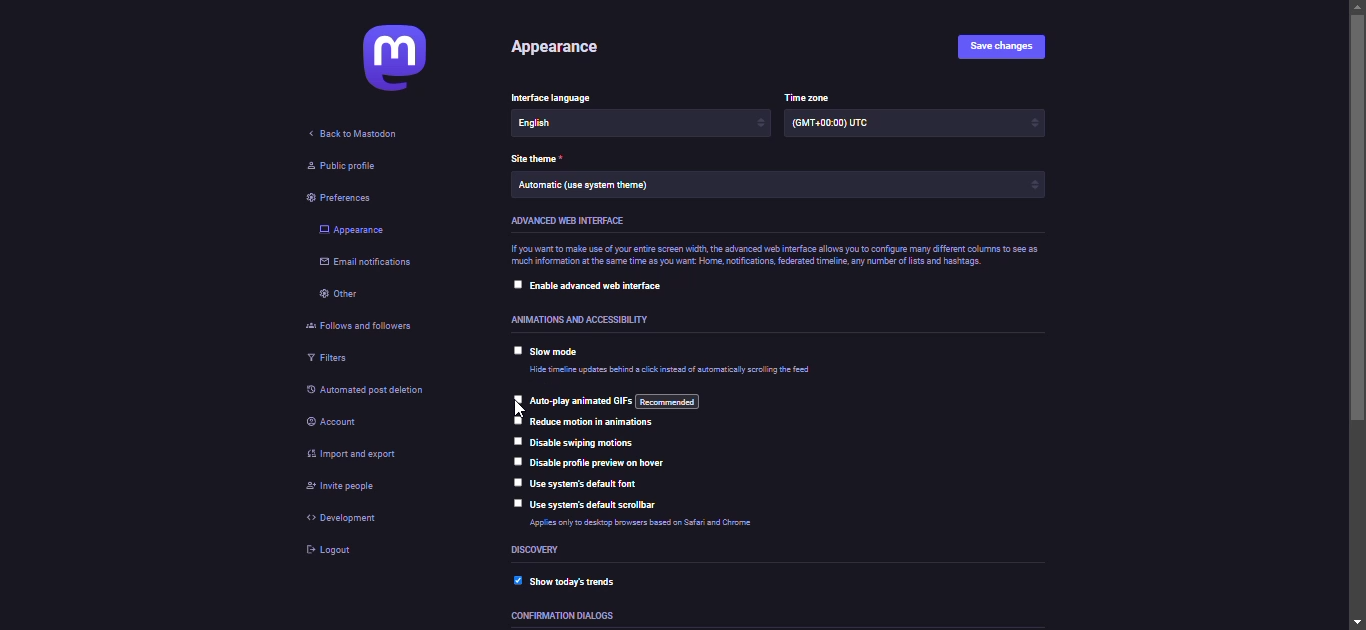 This screenshot has height=630, width=1366. I want to click on theme, so click(594, 186).